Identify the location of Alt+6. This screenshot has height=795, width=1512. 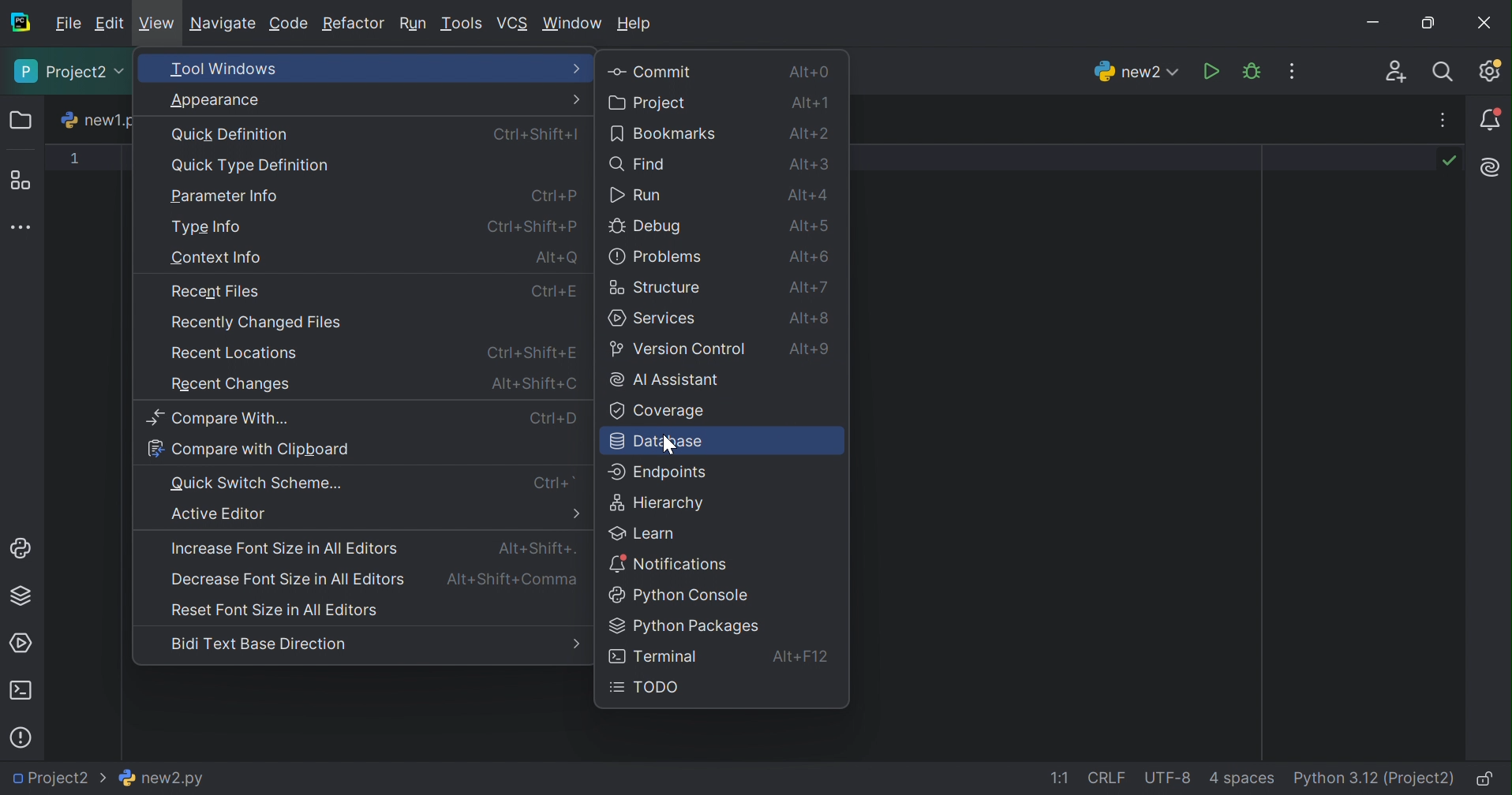
(814, 257).